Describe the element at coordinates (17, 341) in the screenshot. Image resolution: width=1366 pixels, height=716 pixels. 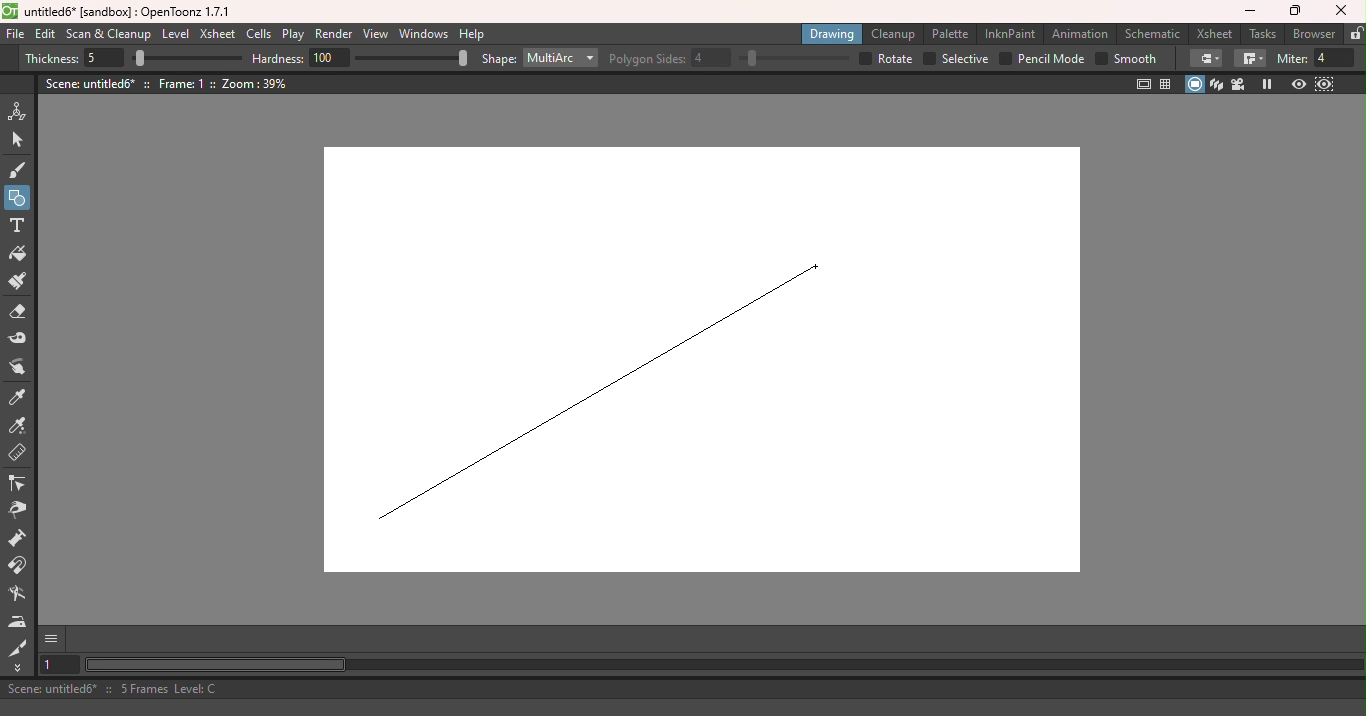
I see `Tape tool` at that location.